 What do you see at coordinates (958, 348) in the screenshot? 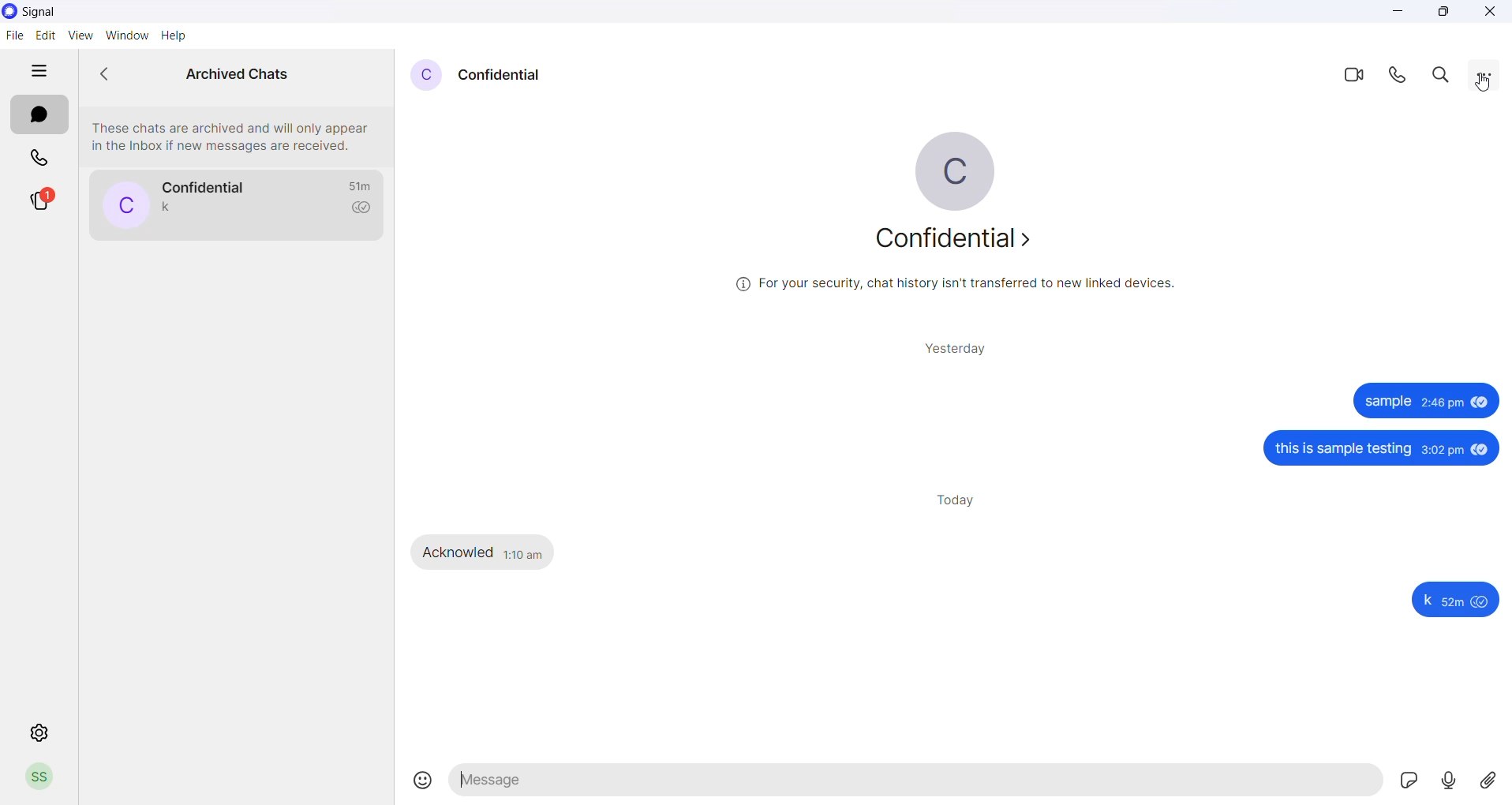
I see `yesterday messages heading` at bounding box center [958, 348].